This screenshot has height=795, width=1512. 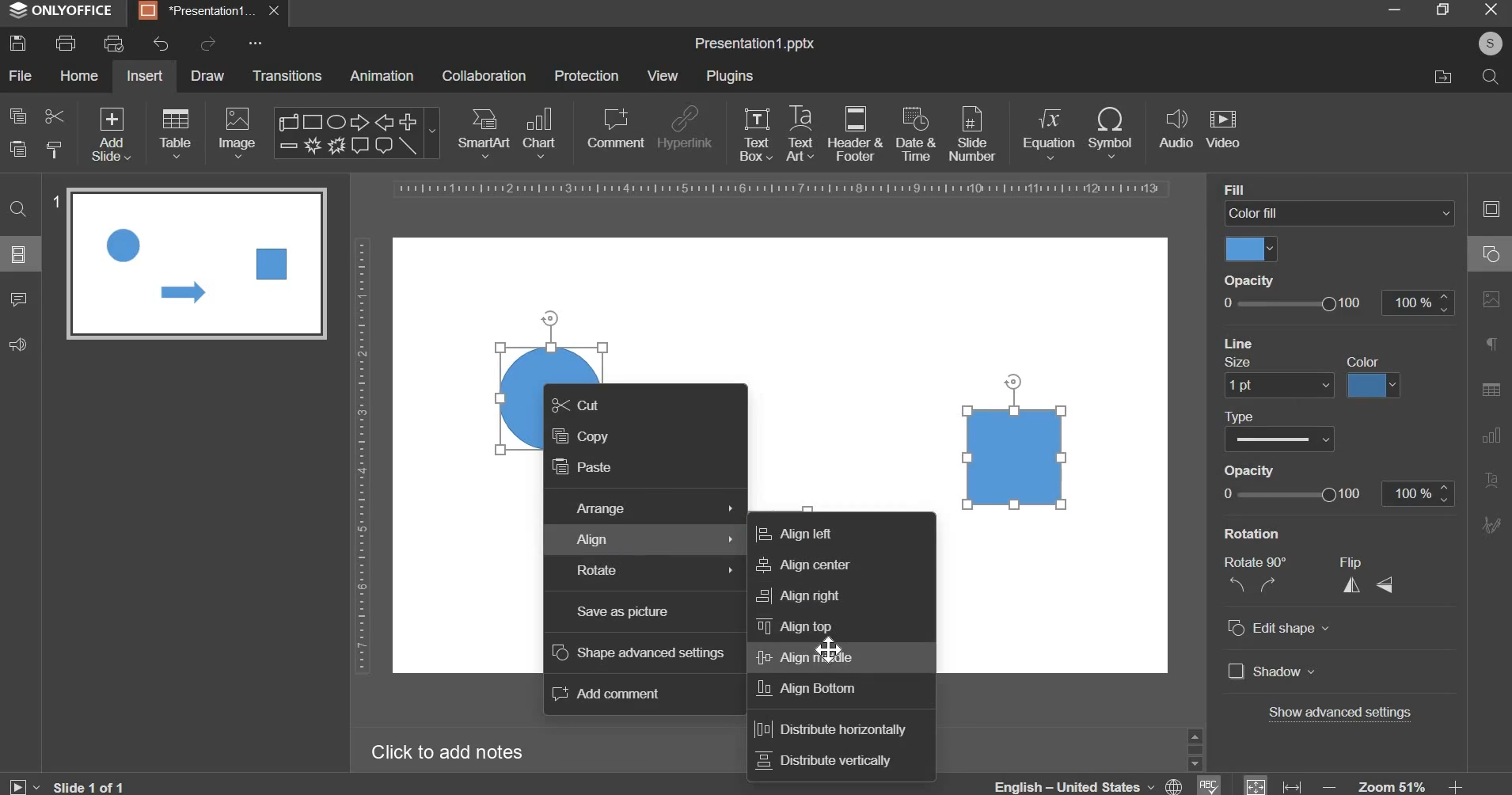 What do you see at coordinates (1492, 252) in the screenshot?
I see `shape setting` at bounding box center [1492, 252].